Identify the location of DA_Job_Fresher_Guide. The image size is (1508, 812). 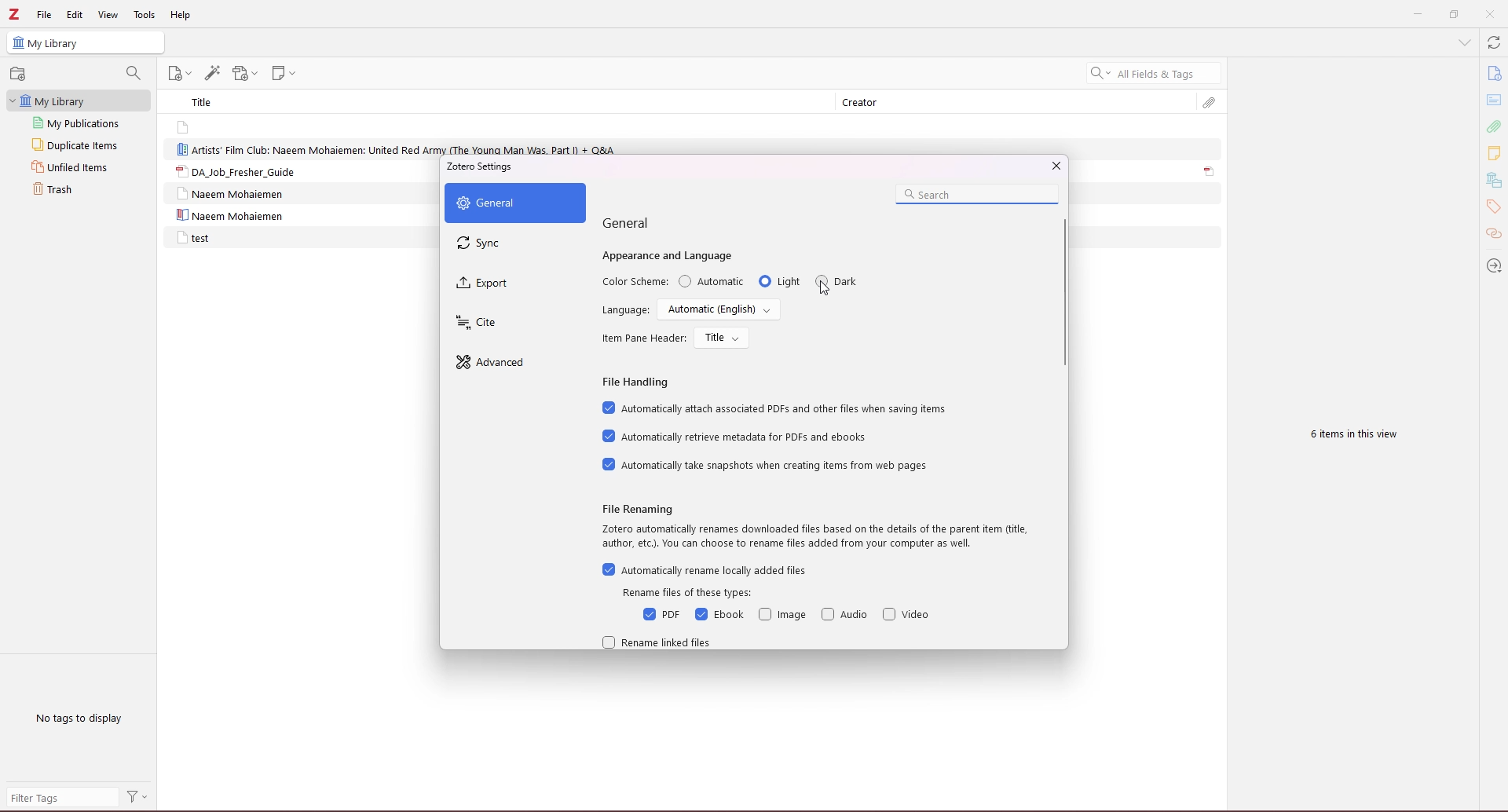
(234, 171).